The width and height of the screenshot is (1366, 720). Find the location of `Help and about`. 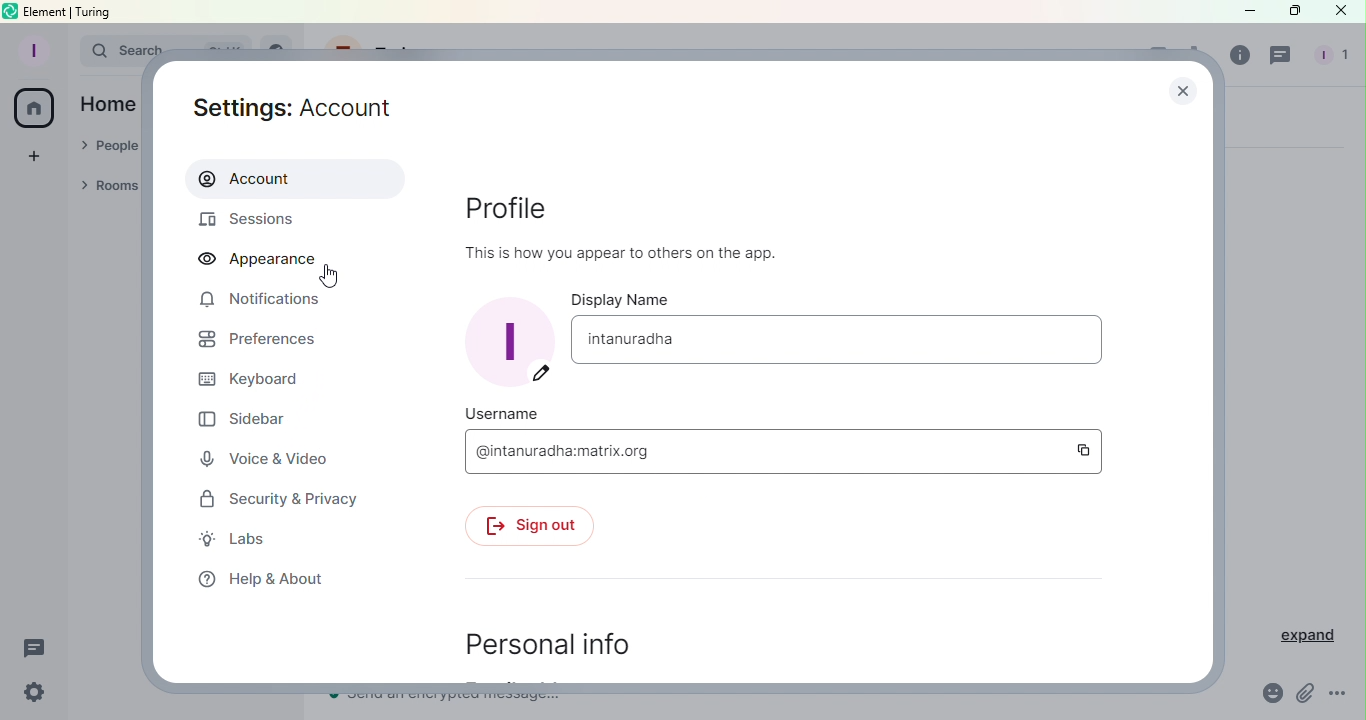

Help and about is located at coordinates (255, 577).